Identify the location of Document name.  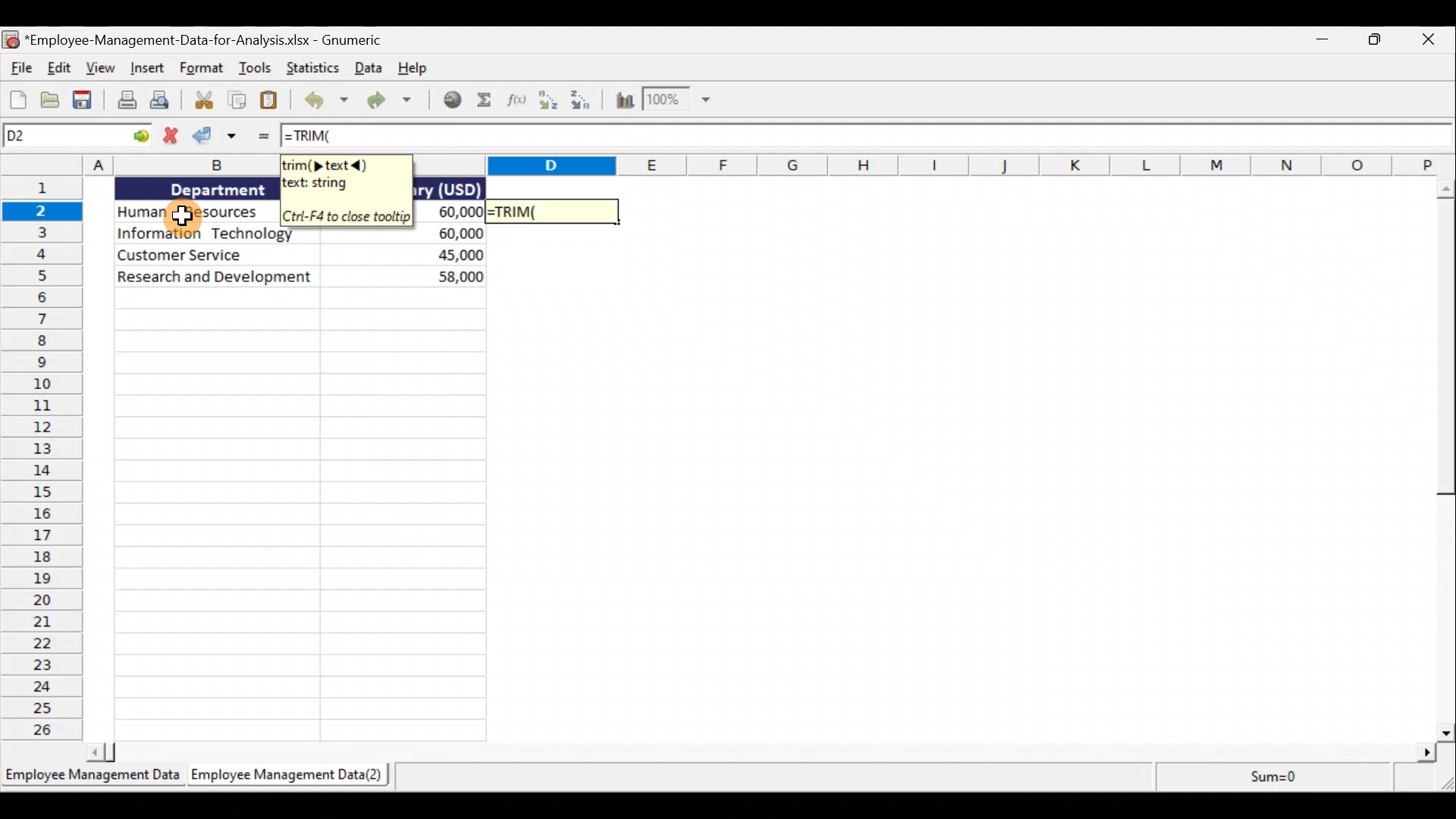
(219, 37).